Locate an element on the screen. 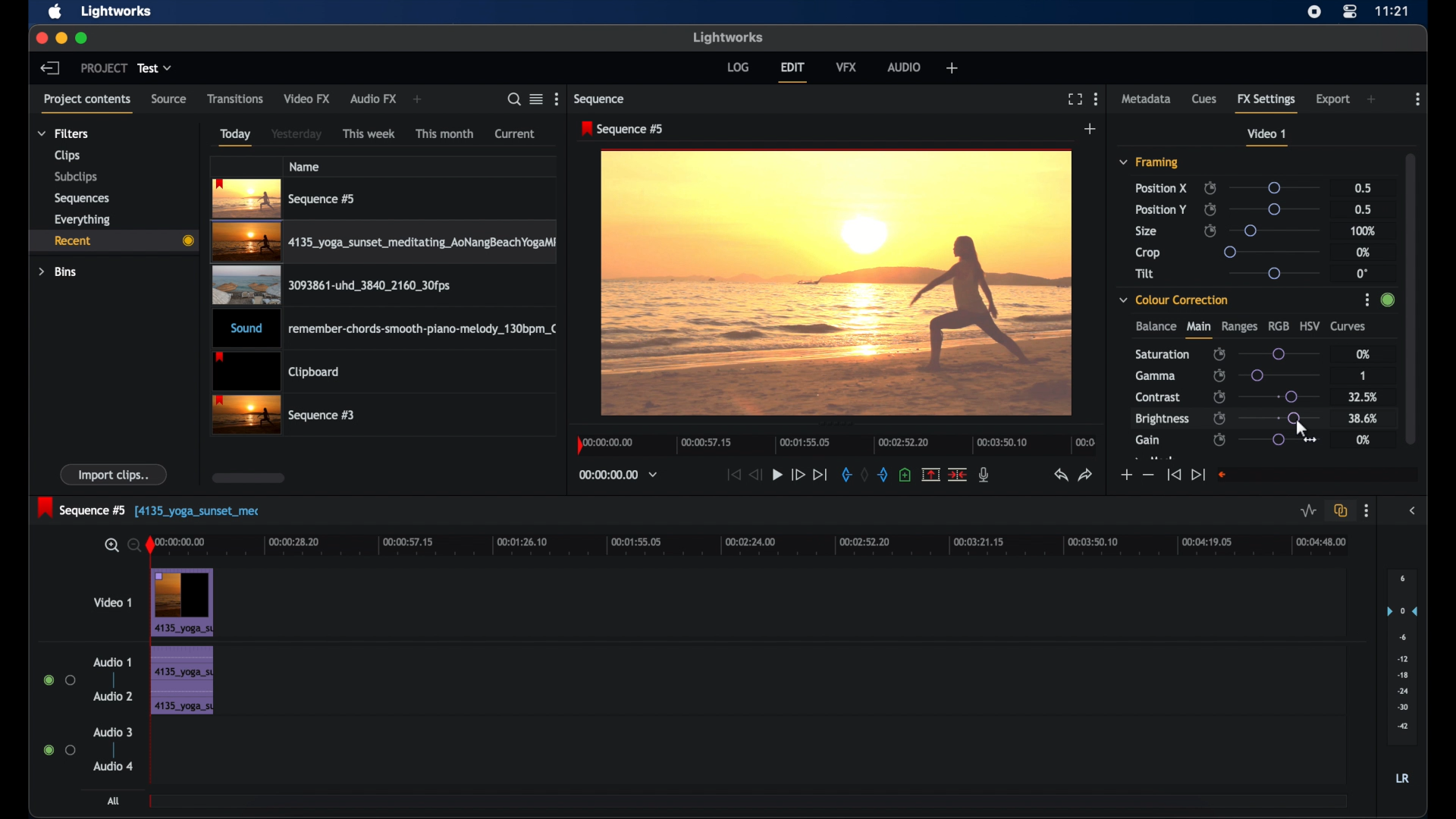 The height and width of the screenshot is (819, 1456). this week is located at coordinates (369, 134).